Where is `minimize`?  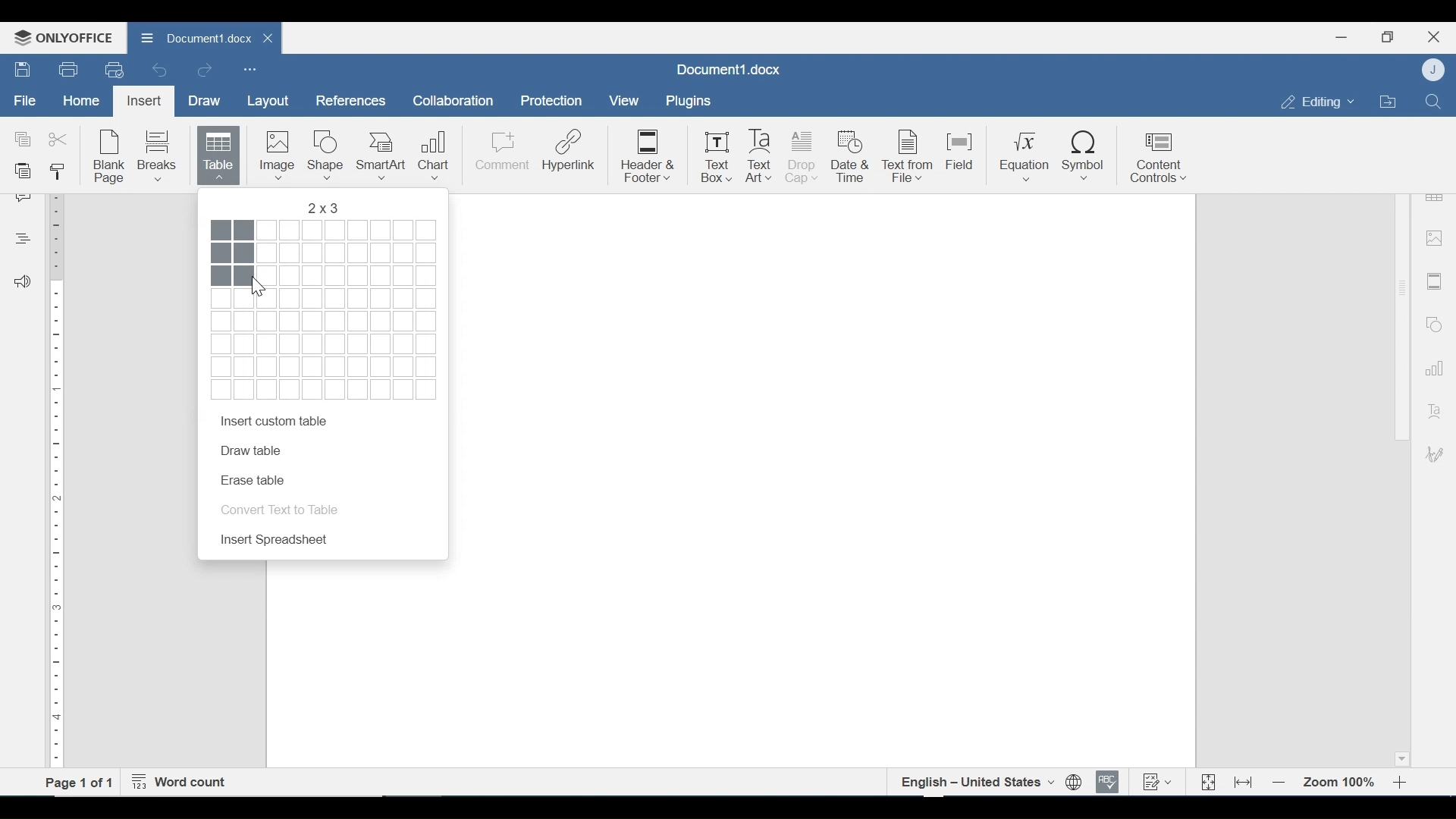
minimize is located at coordinates (1341, 36).